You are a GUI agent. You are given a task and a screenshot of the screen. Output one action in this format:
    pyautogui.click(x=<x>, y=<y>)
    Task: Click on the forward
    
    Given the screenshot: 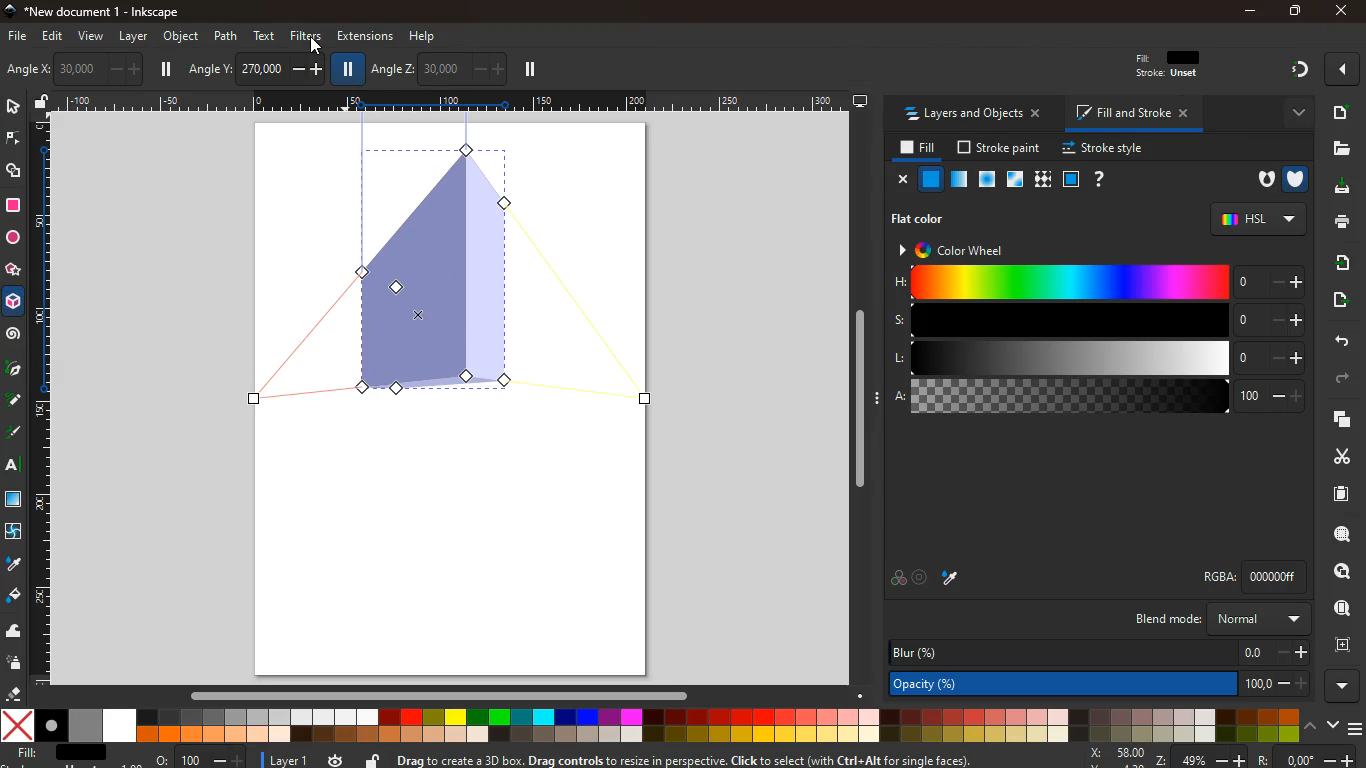 What is the action you would take?
    pyautogui.click(x=1348, y=379)
    